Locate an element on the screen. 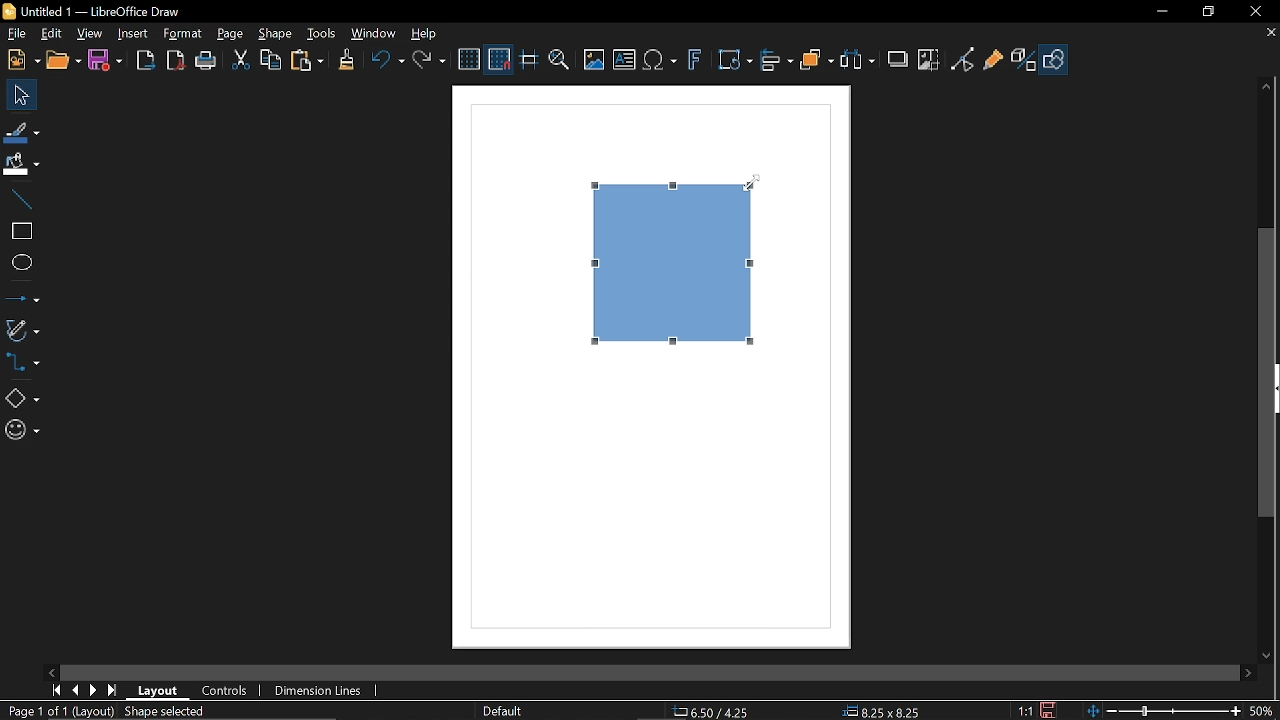 The height and width of the screenshot is (720, 1280). Save is located at coordinates (108, 59).